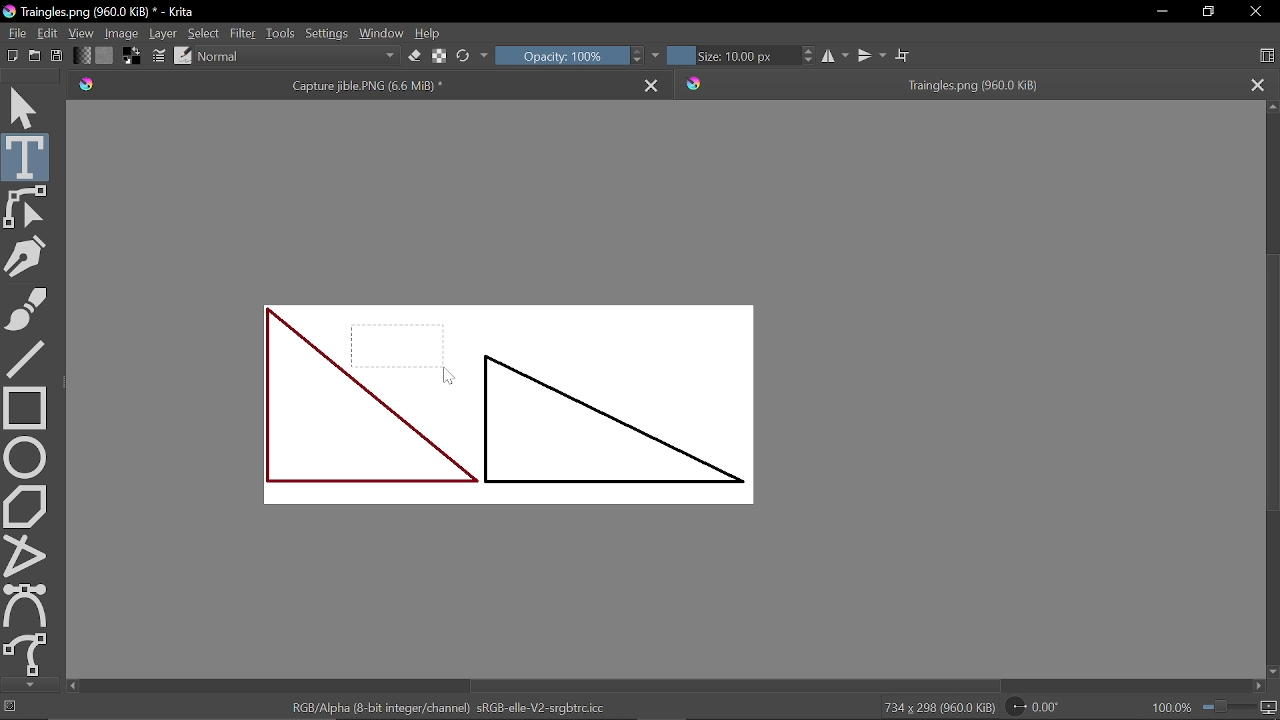  What do you see at coordinates (27, 655) in the screenshot?
I see `Freehand path tool` at bounding box center [27, 655].